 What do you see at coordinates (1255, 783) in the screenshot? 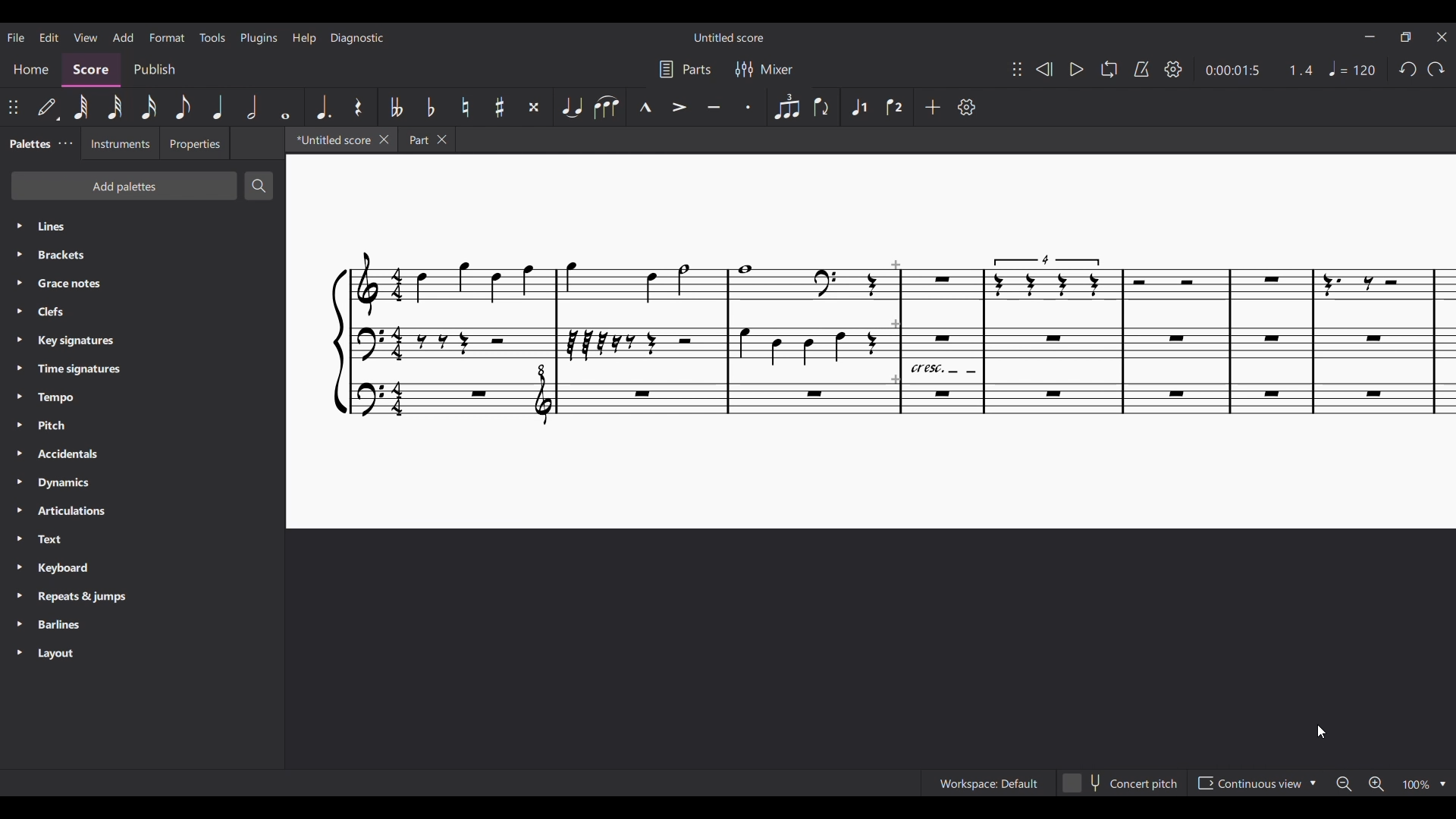
I see `Options preview changed to reflect current selection` at bounding box center [1255, 783].